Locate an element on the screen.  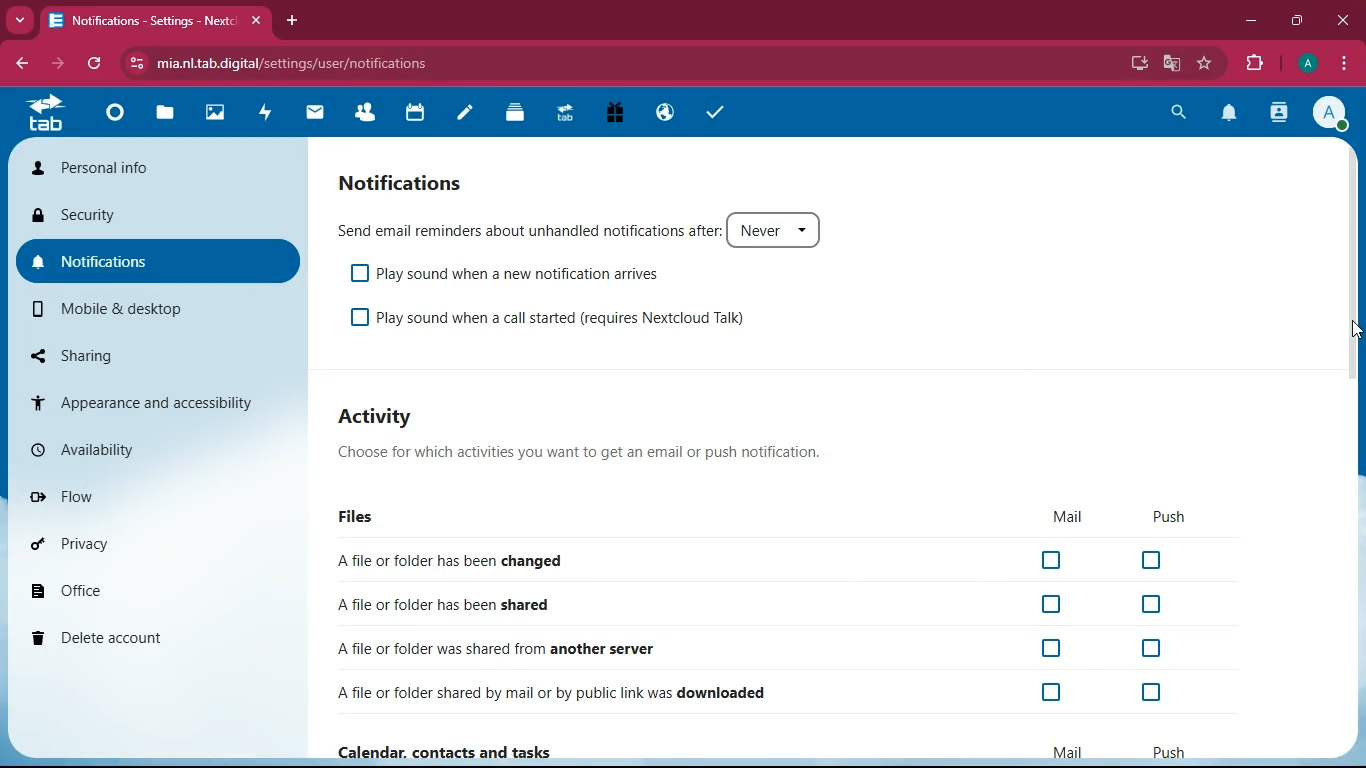
off is located at coordinates (1052, 692).